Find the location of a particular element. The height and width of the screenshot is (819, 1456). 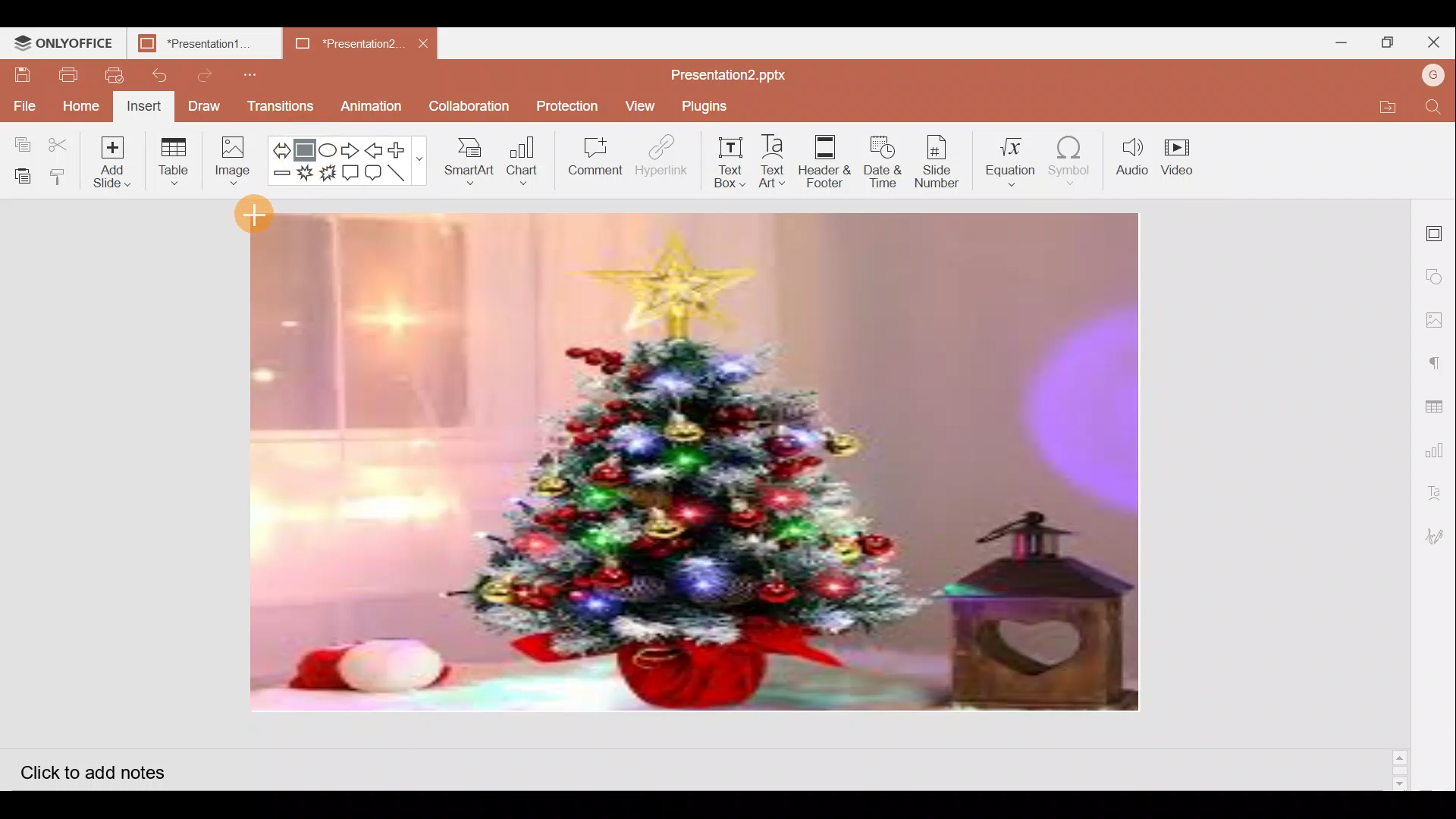

Presentation1. is located at coordinates (199, 42).